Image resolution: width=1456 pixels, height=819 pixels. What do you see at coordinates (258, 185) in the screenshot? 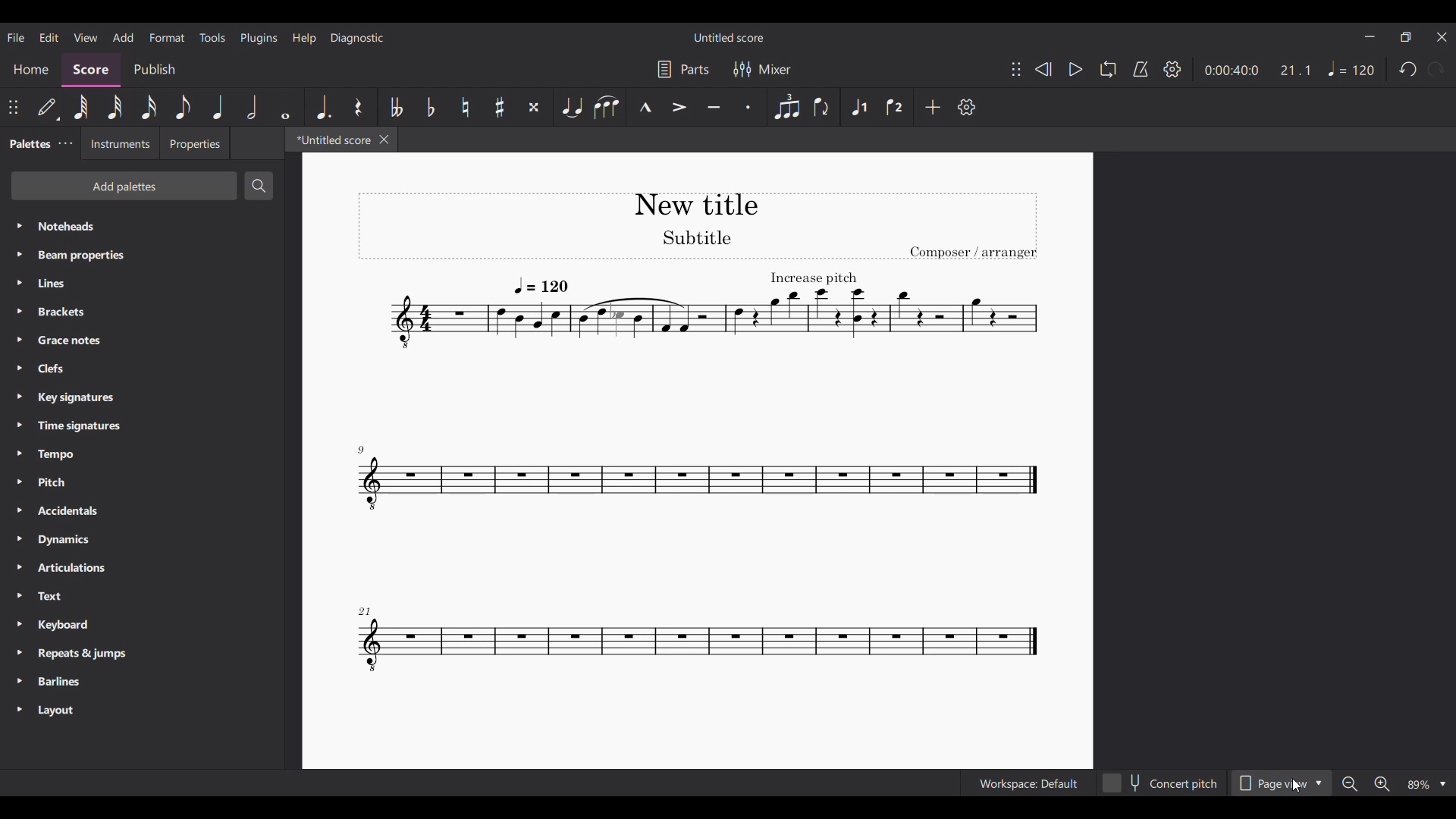
I see `Search` at bounding box center [258, 185].